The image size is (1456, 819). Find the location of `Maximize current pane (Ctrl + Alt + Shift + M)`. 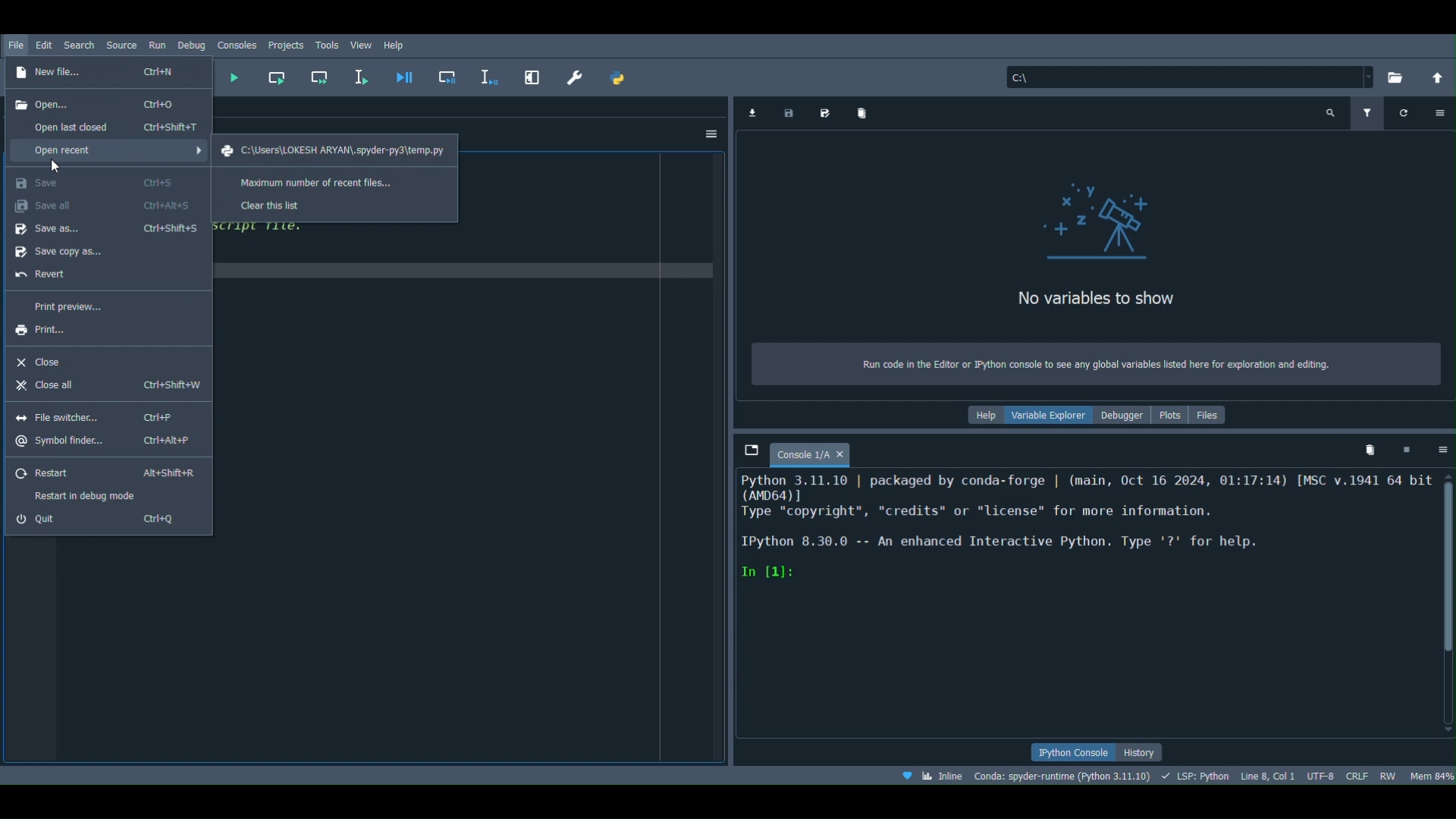

Maximize current pane (Ctrl + Alt + Shift + M) is located at coordinates (529, 75).